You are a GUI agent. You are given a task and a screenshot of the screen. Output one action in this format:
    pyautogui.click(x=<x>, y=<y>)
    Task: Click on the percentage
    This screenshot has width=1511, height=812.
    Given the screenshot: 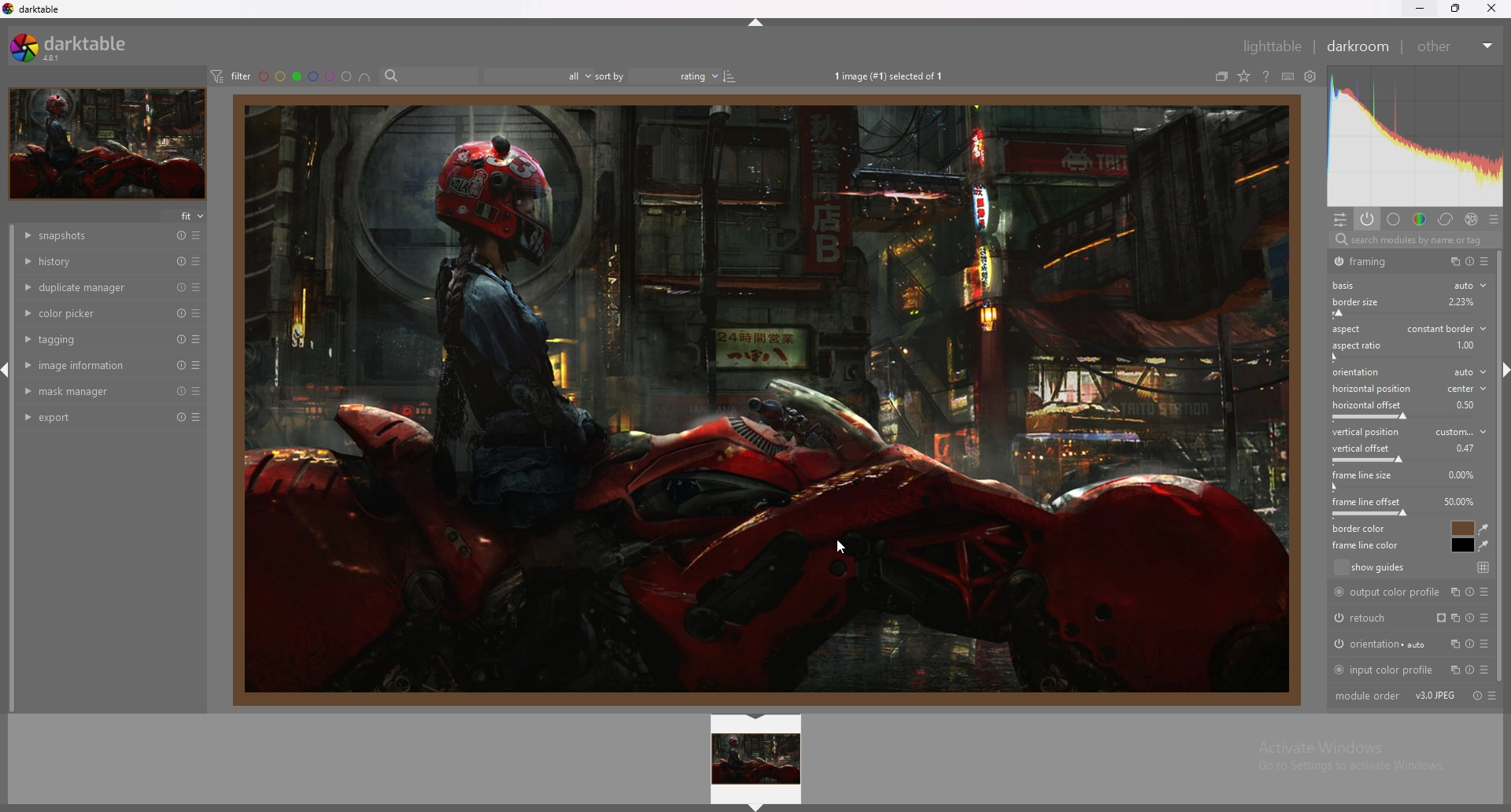 What is the action you would take?
    pyautogui.click(x=1469, y=404)
    